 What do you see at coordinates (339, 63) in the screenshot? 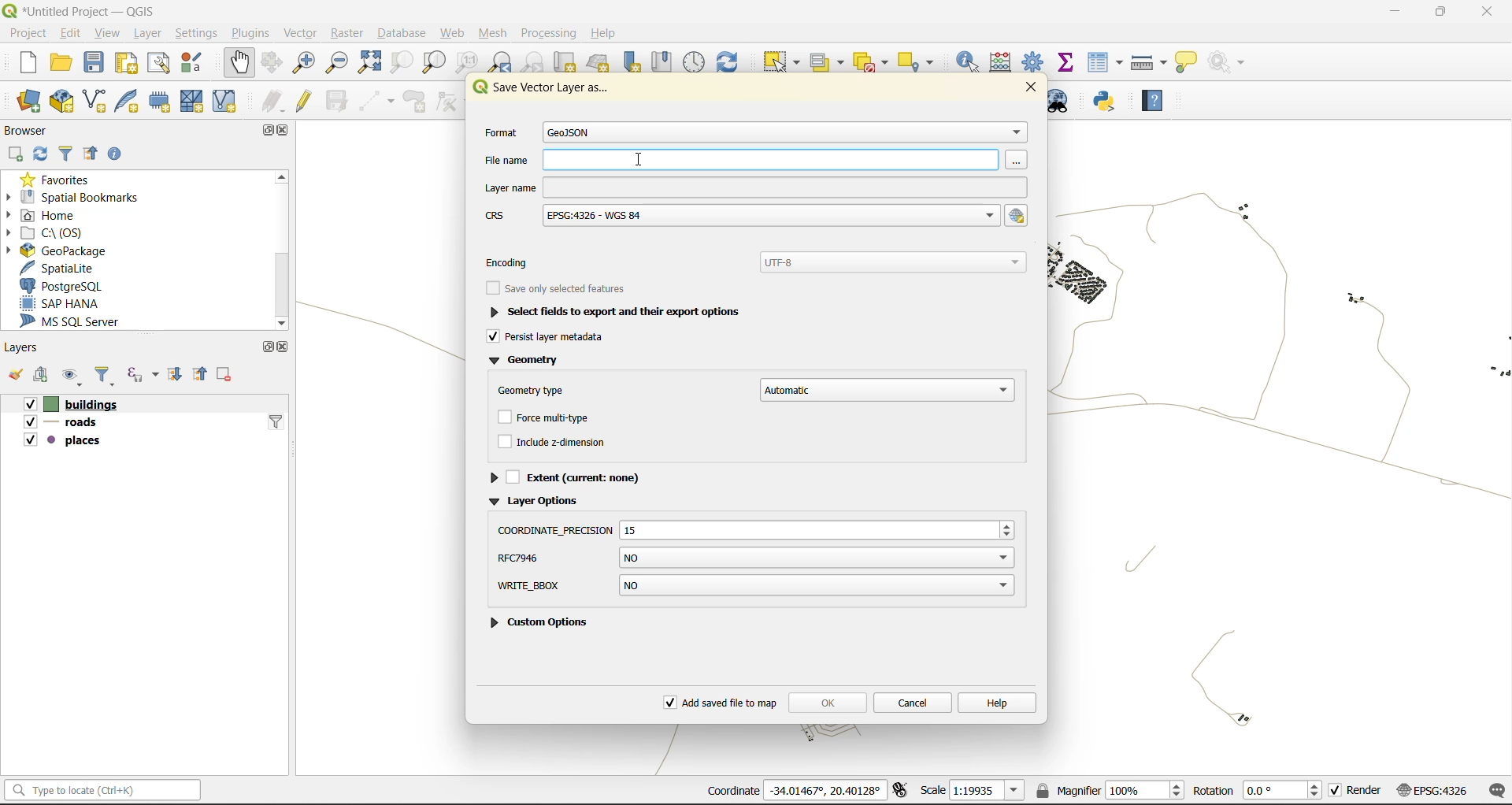
I see `zoom out` at bounding box center [339, 63].